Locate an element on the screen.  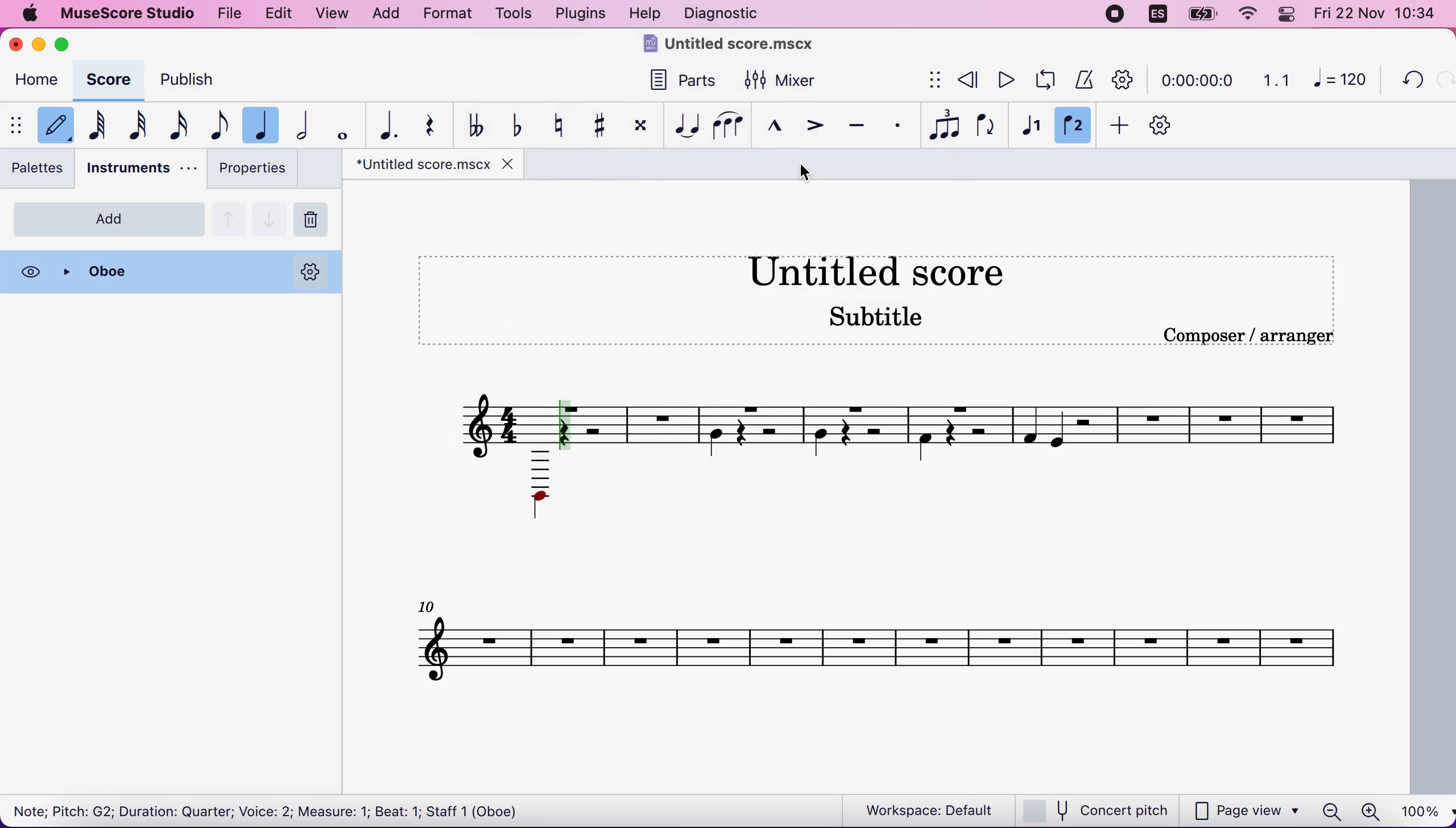
oboe is located at coordinates (159, 271).